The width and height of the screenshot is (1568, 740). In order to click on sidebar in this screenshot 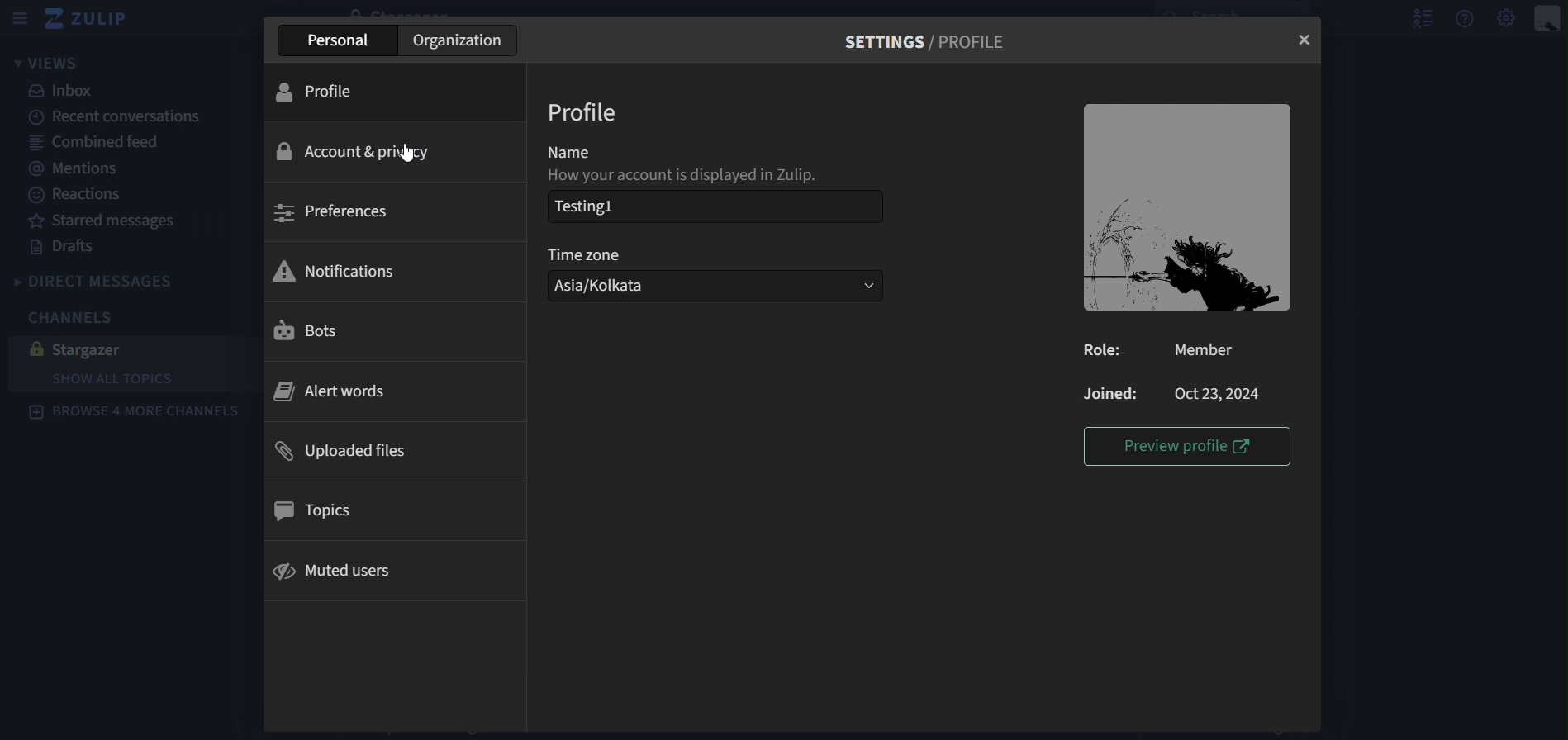, I will do `click(22, 17)`.